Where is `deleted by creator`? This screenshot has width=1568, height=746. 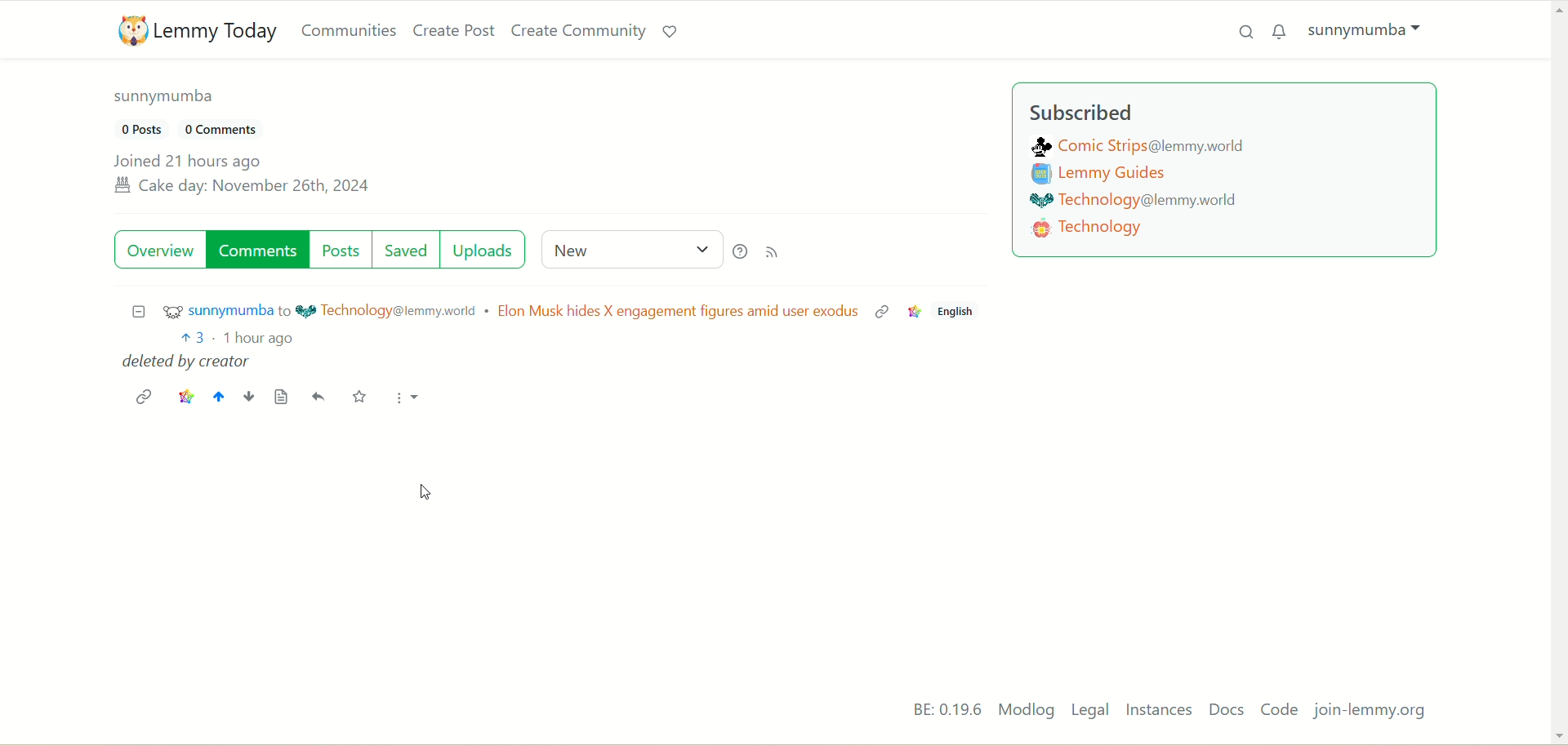
deleted by creator is located at coordinates (188, 362).